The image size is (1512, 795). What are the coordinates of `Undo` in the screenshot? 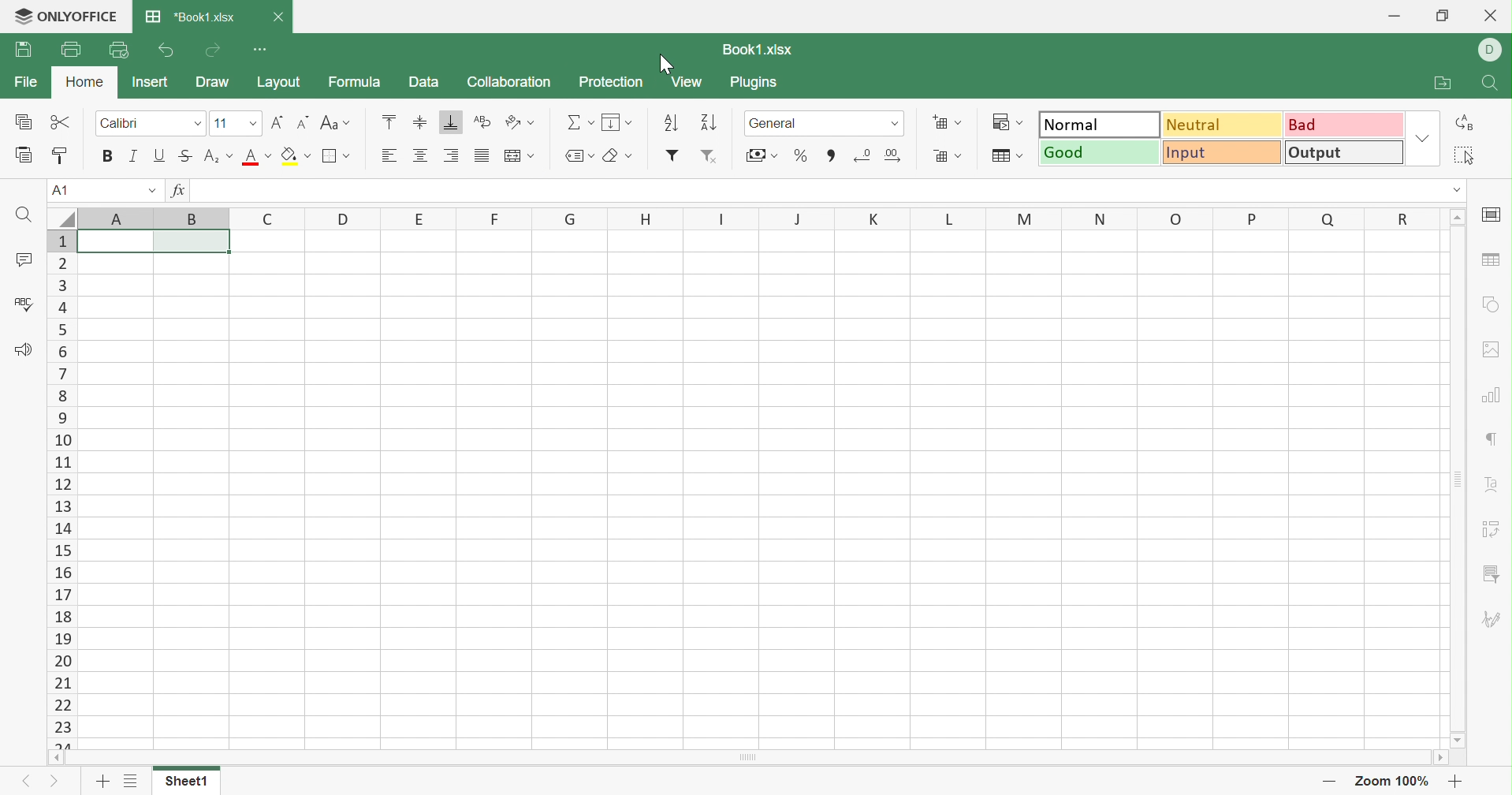 It's located at (167, 52).